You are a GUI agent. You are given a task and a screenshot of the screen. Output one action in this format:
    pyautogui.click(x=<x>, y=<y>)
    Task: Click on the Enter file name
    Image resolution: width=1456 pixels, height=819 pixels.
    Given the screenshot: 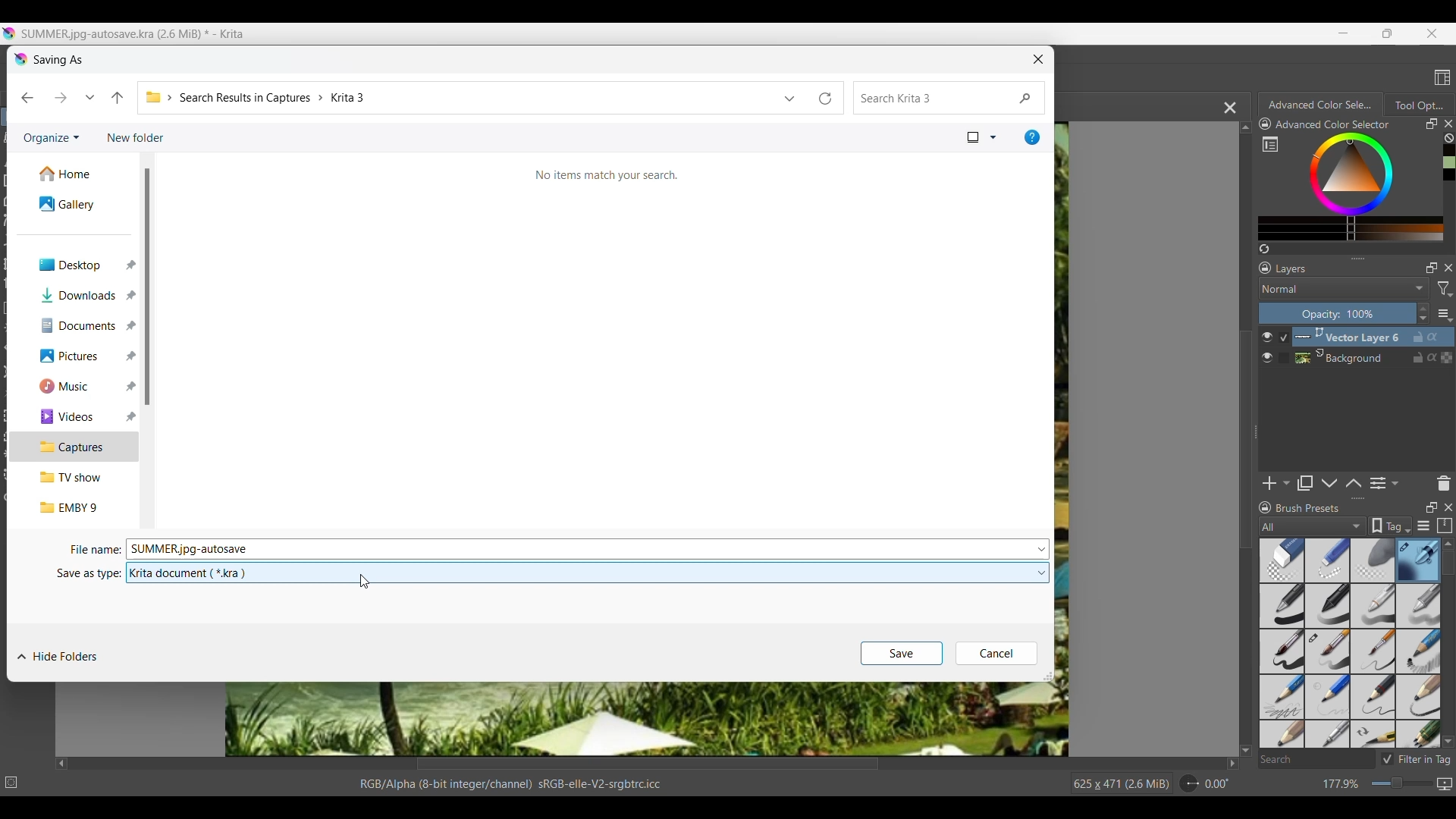 What is the action you would take?
    pyautogui.click(x=579, y=549)
    